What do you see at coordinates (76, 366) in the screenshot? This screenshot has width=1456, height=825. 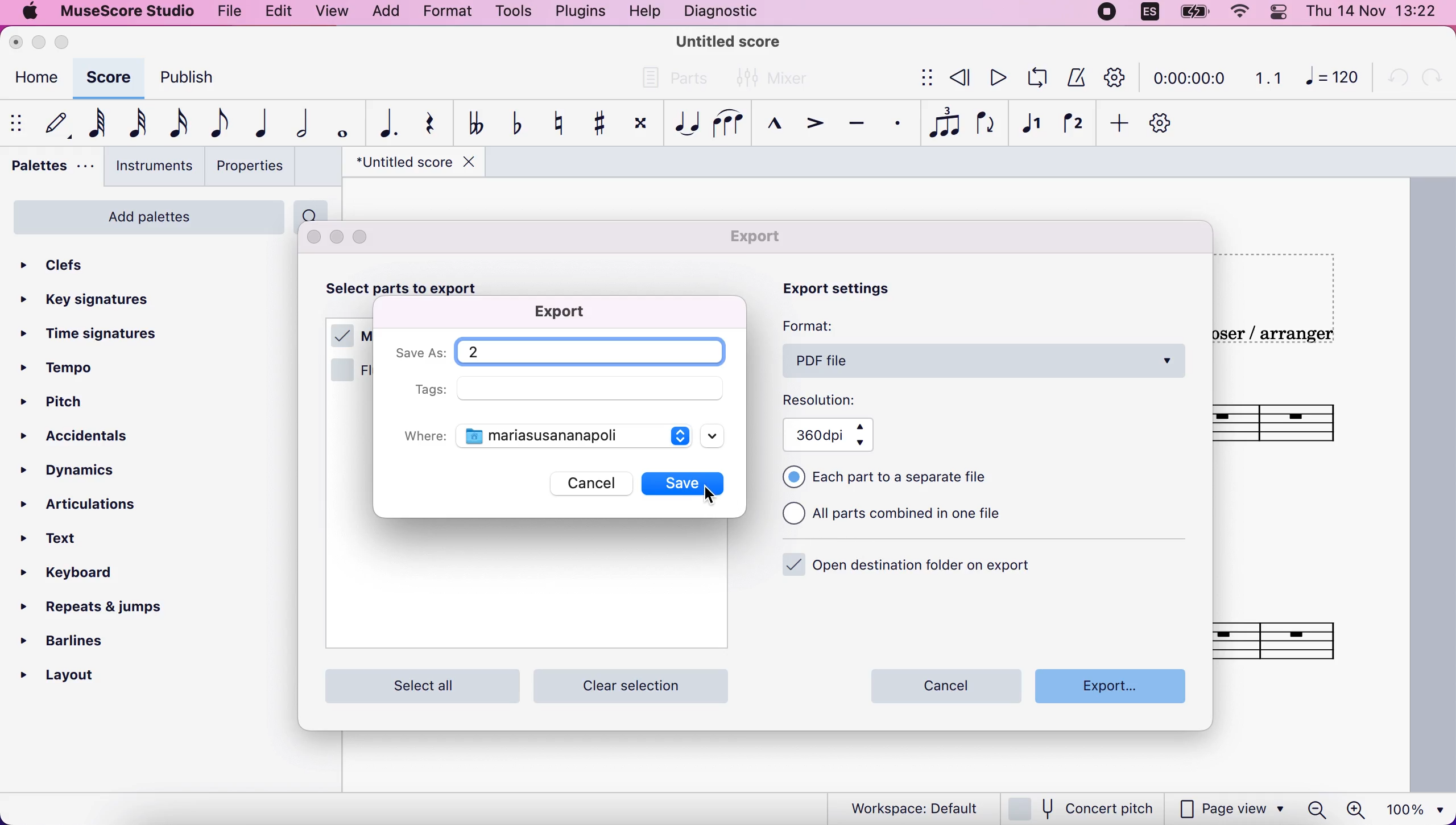 I see `tempo` at bounding box center [76, 366].